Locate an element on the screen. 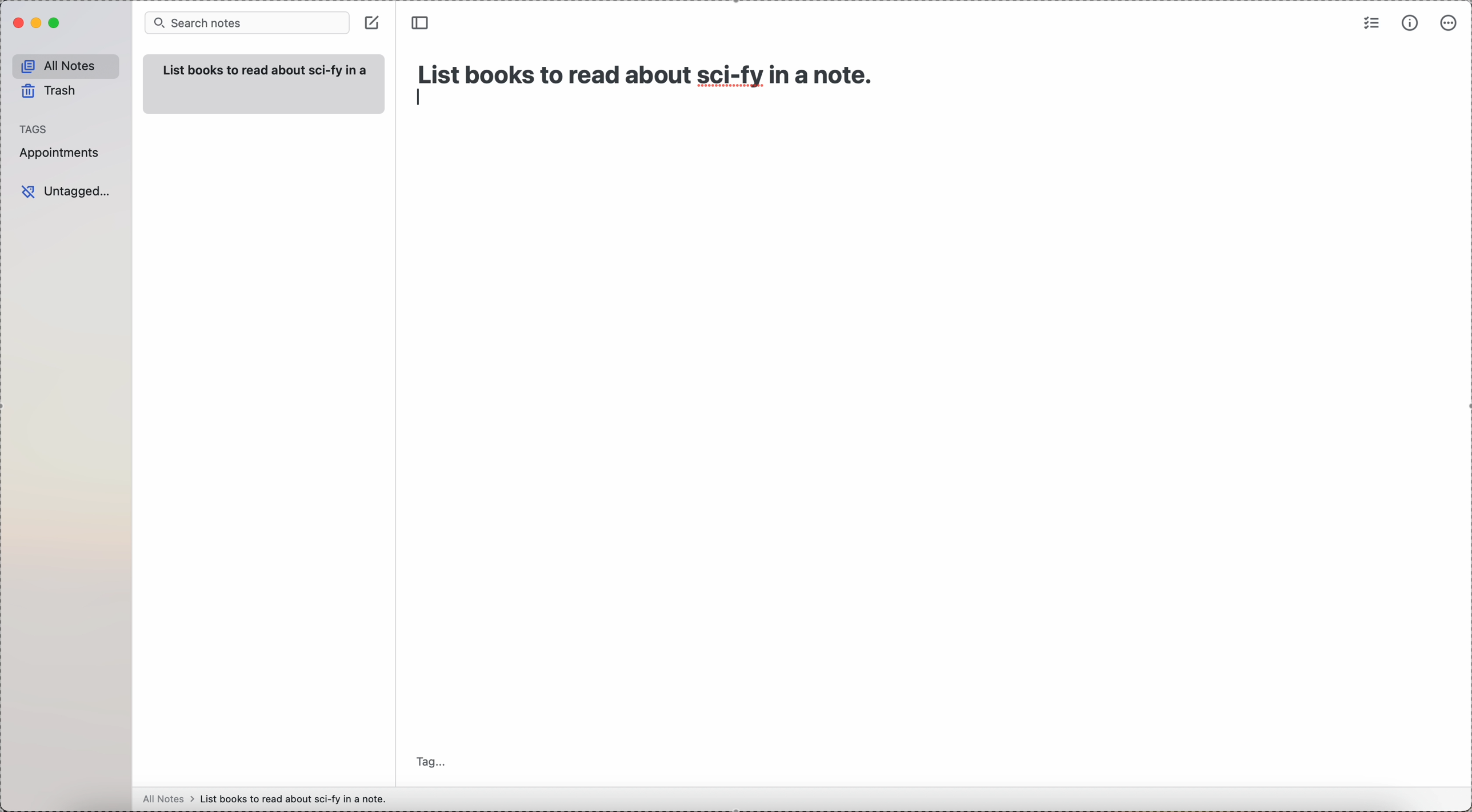  check list is located at coordinates (1372, 23).